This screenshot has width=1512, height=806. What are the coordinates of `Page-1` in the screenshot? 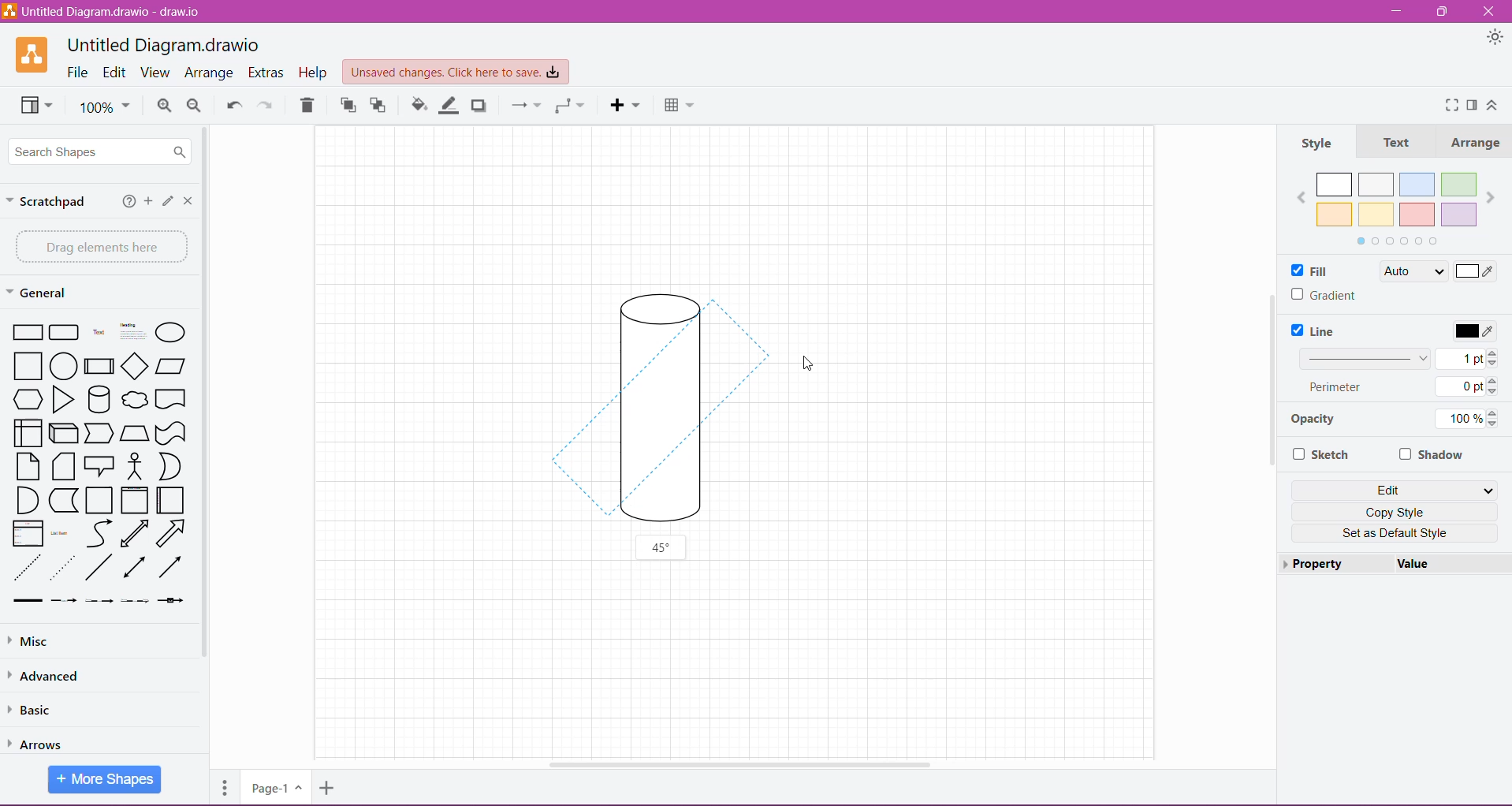 It's located at (274, 788).